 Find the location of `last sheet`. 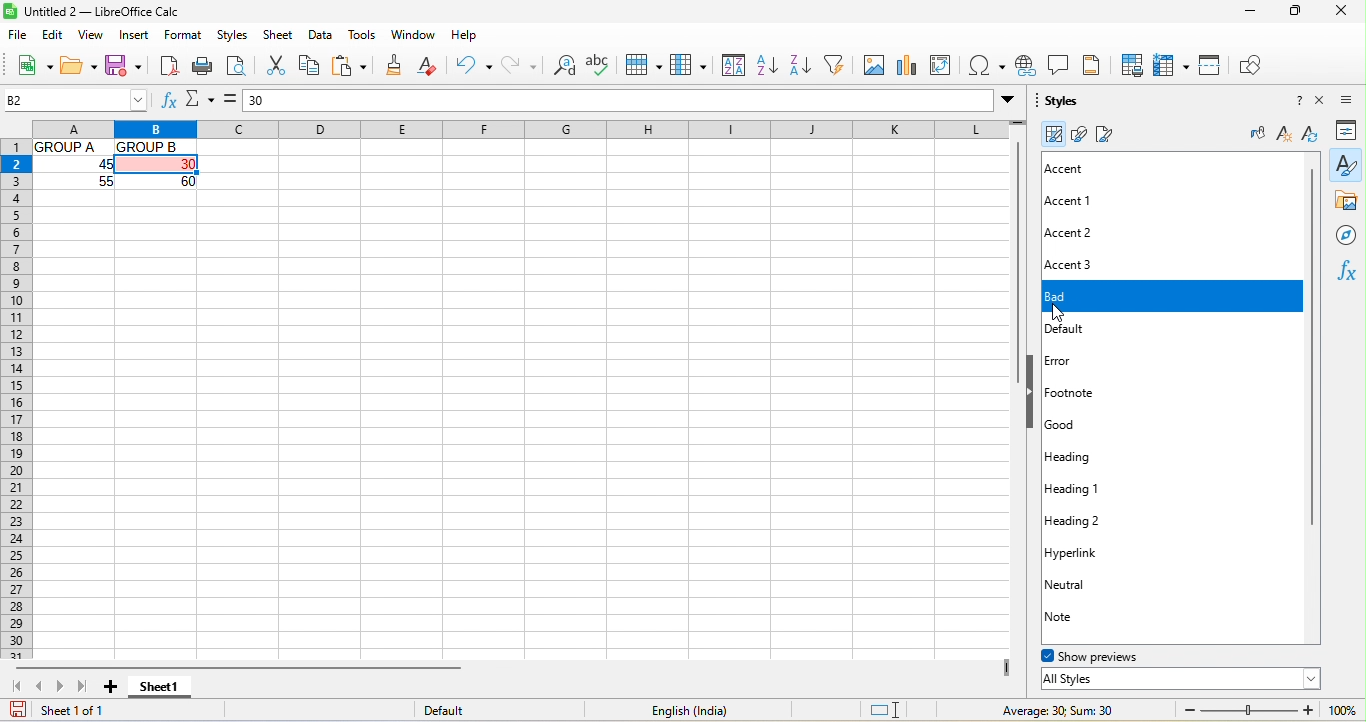

last sheet is located at coordinates (86, 689).